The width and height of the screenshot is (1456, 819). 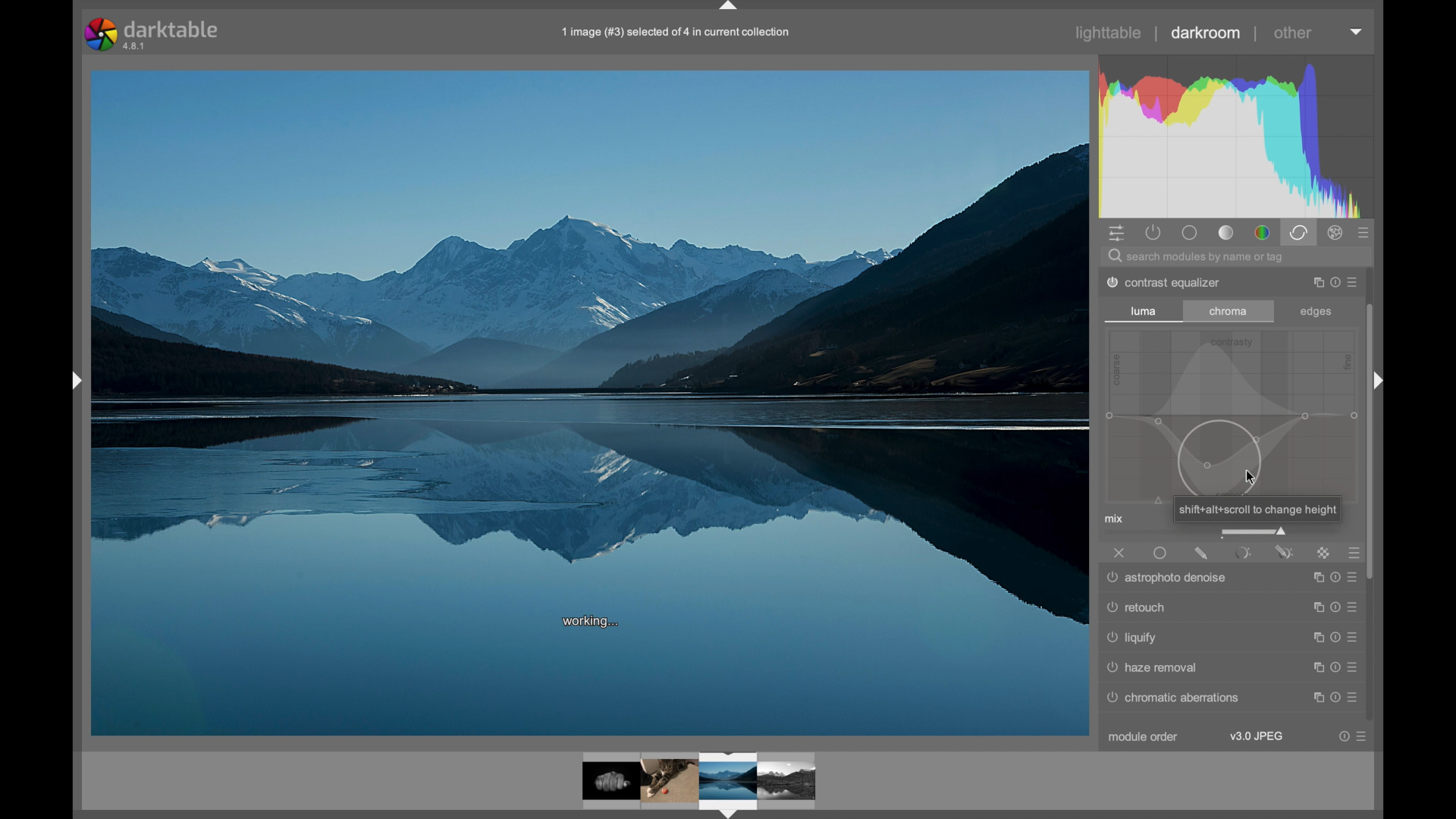 What do you see at coordinates (74, 382) in the screenshot?
I see `drag handle` at bounding box center [74, 382].